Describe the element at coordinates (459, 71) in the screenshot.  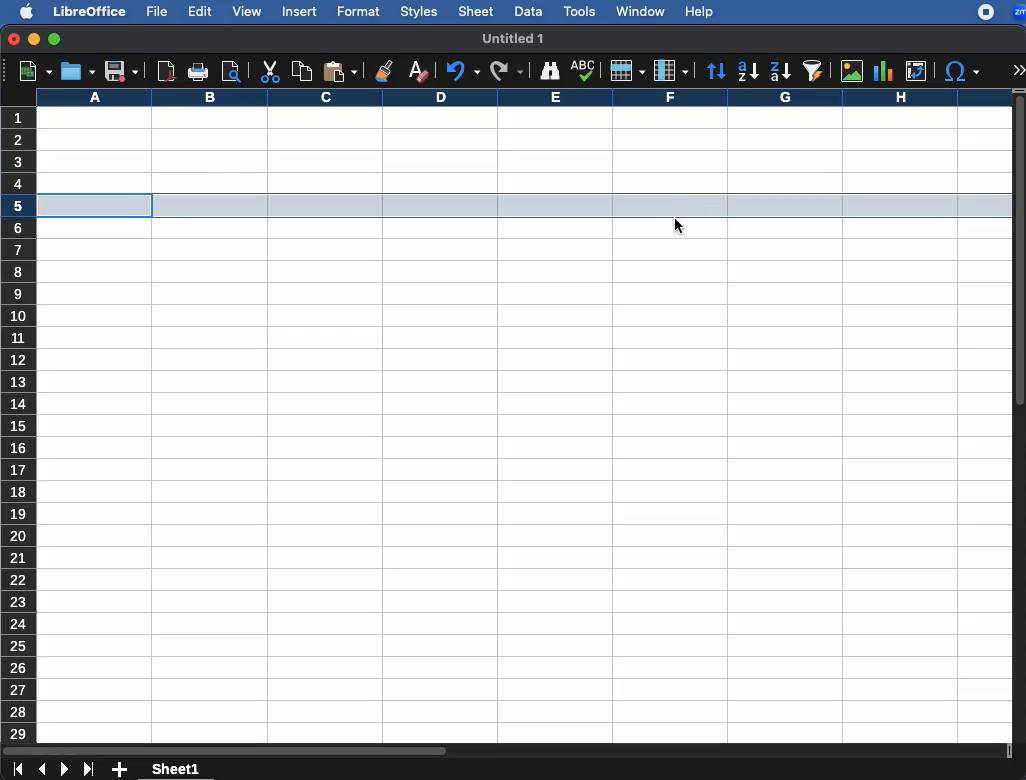
I see `redo` at that location.